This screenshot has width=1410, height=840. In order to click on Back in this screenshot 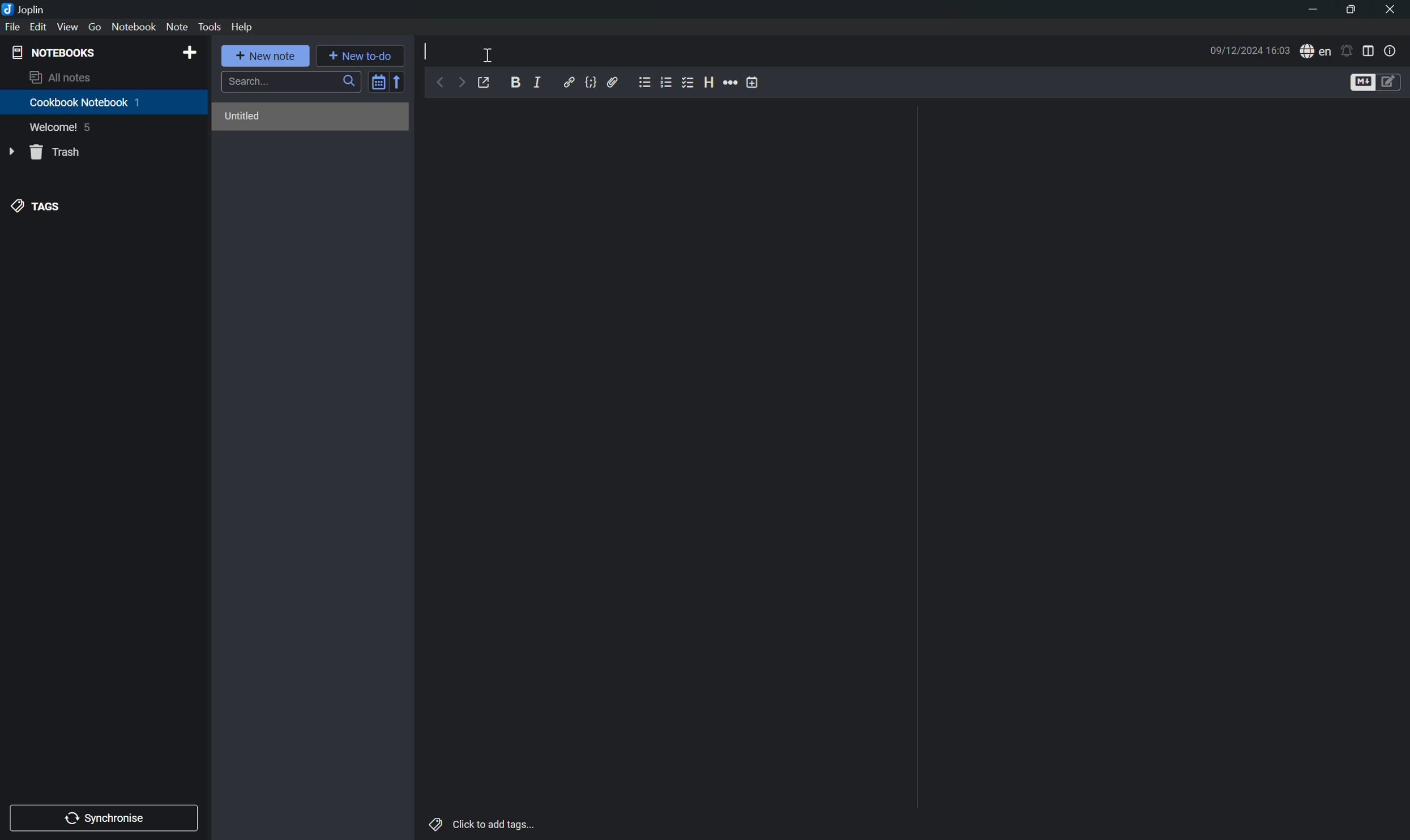, I will do `click(439, 83)`.